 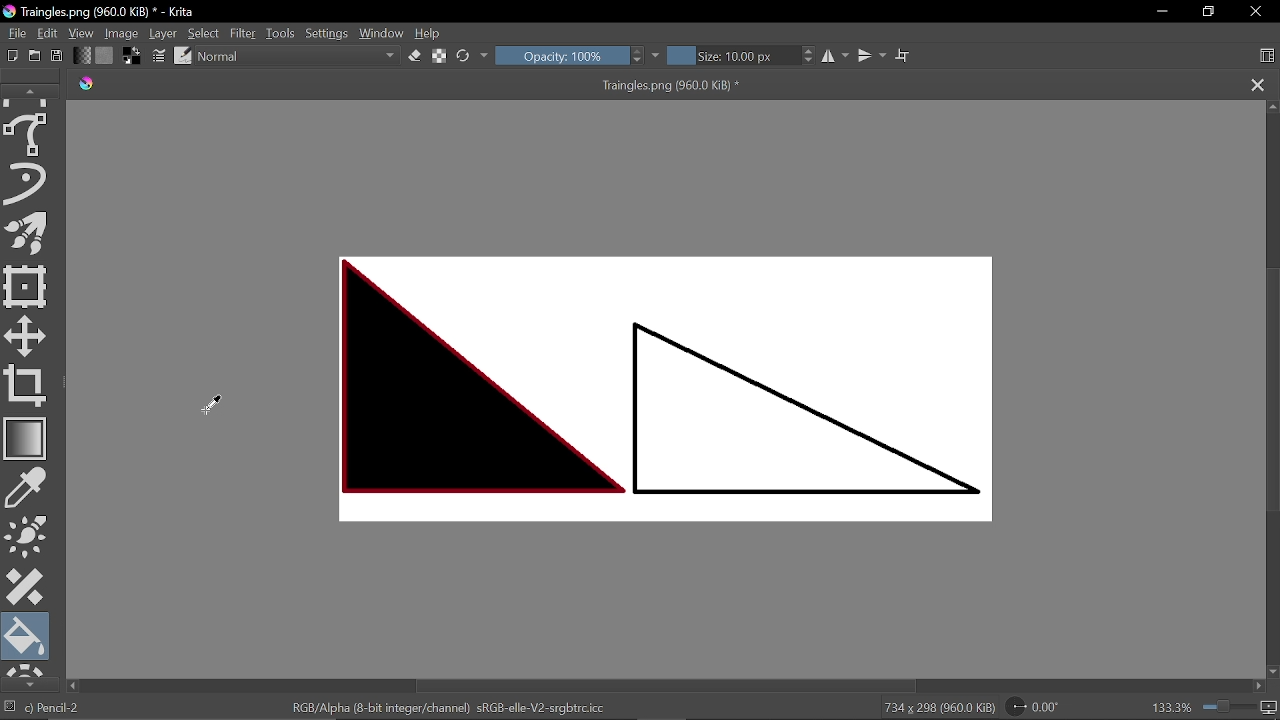 What do you see at coordinates (382, 35) in the screenshot?
I see `Window` at bounding box center [382, 35].